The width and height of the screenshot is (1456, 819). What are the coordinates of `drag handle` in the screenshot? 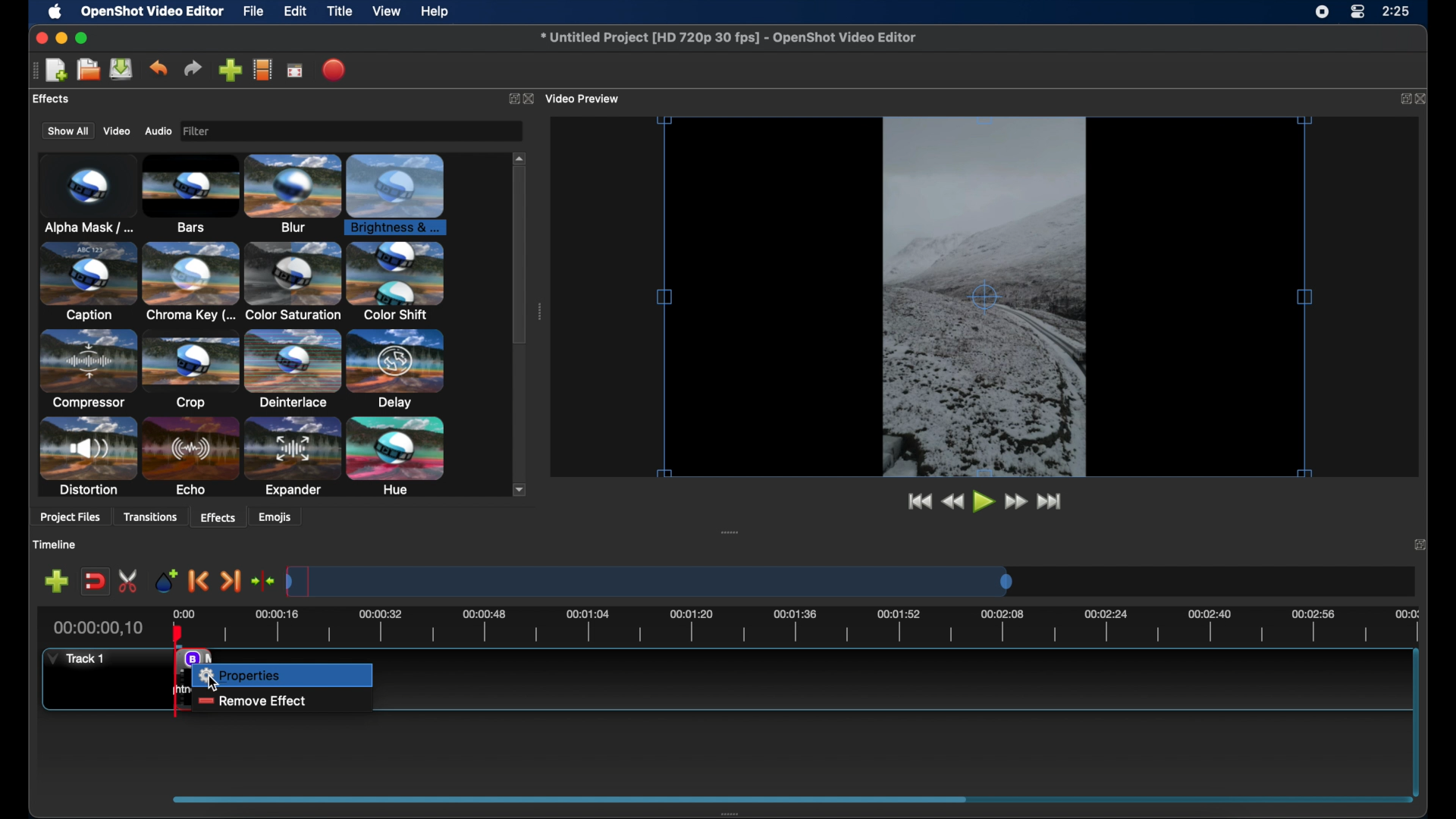 It's located at (731, 811).